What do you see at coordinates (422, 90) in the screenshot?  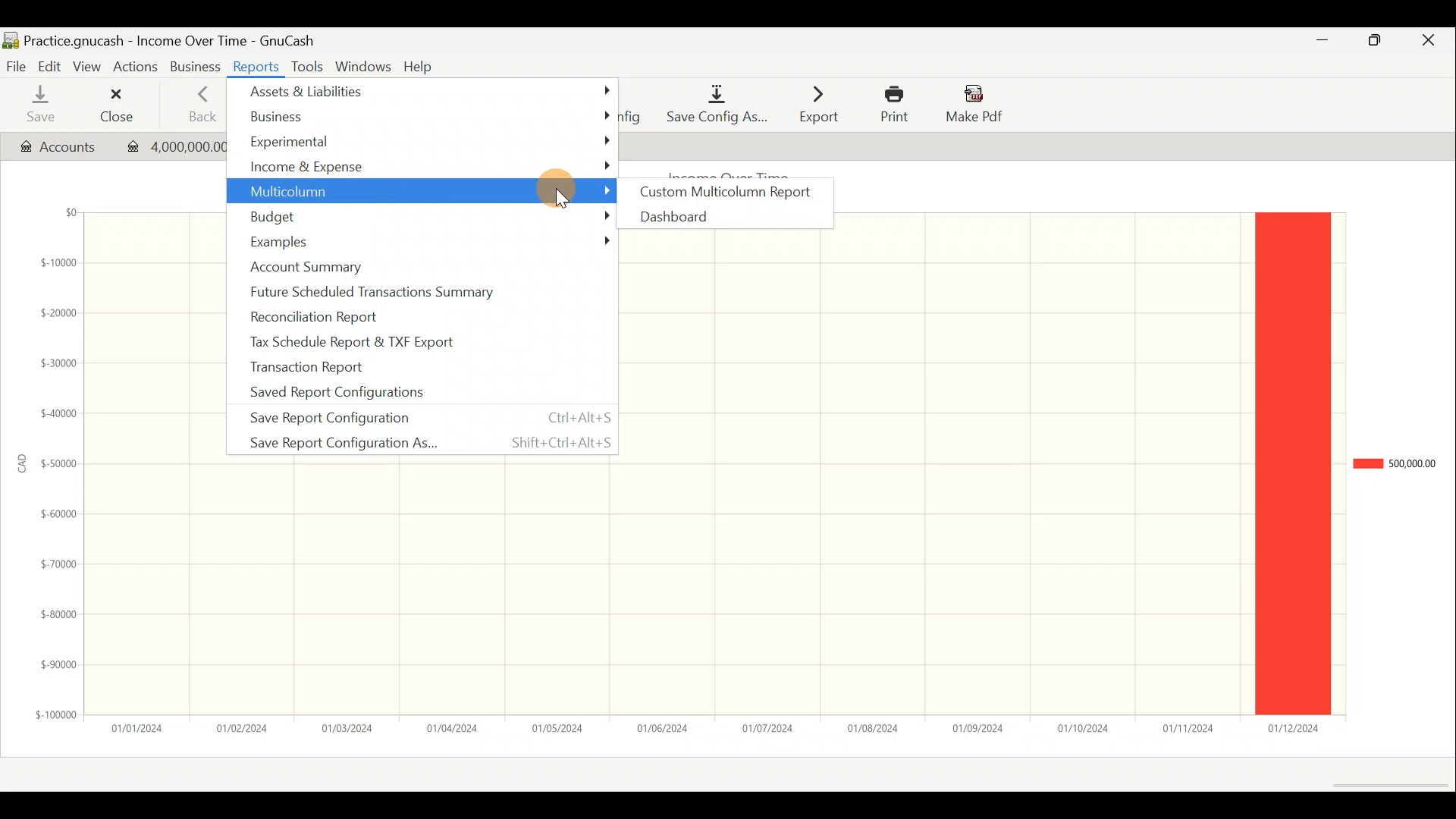 I see `Assets & liabilities` at bounding box center [422, 90].